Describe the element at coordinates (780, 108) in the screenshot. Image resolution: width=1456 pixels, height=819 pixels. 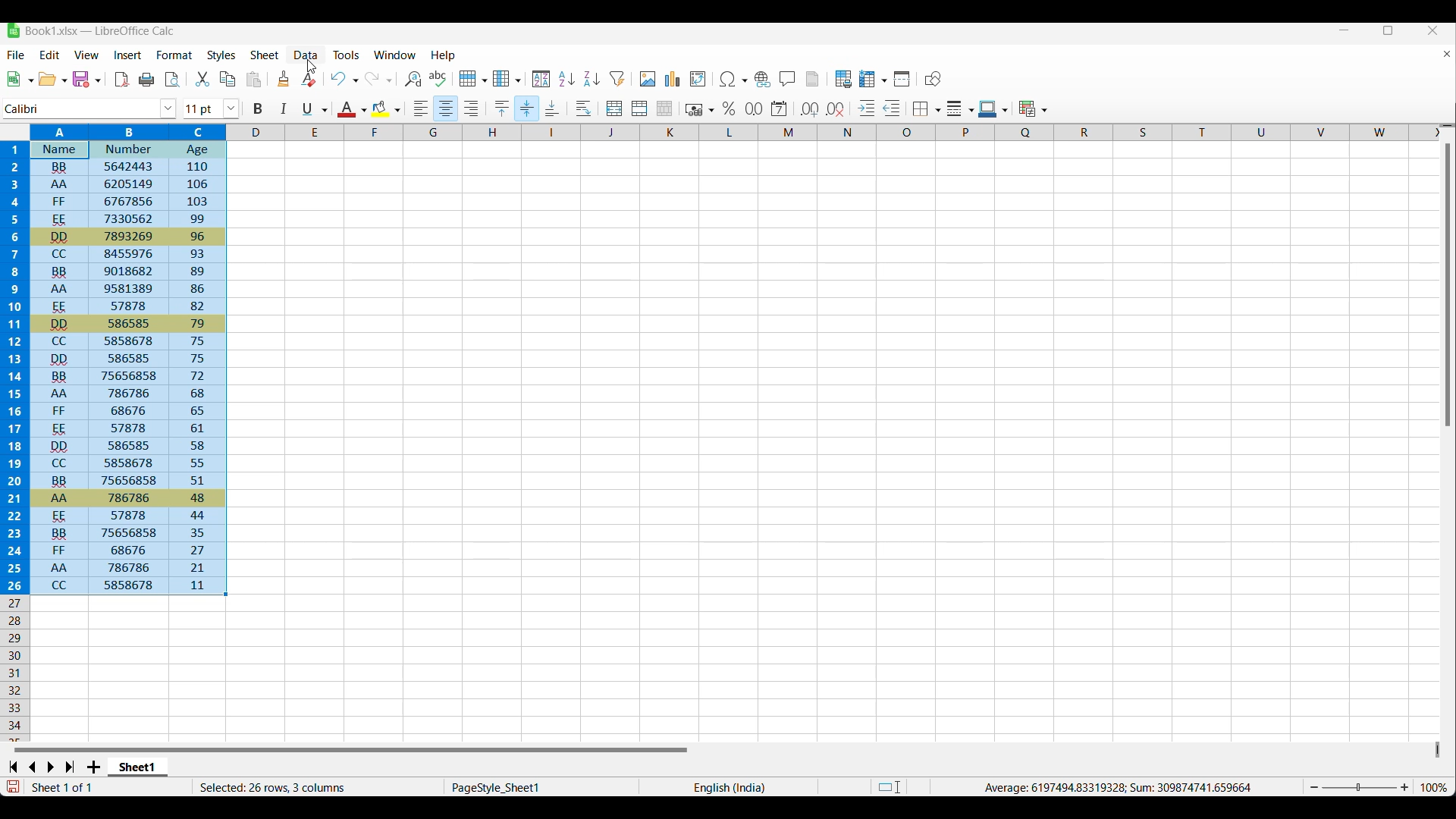
I see `Format as date` at that location.